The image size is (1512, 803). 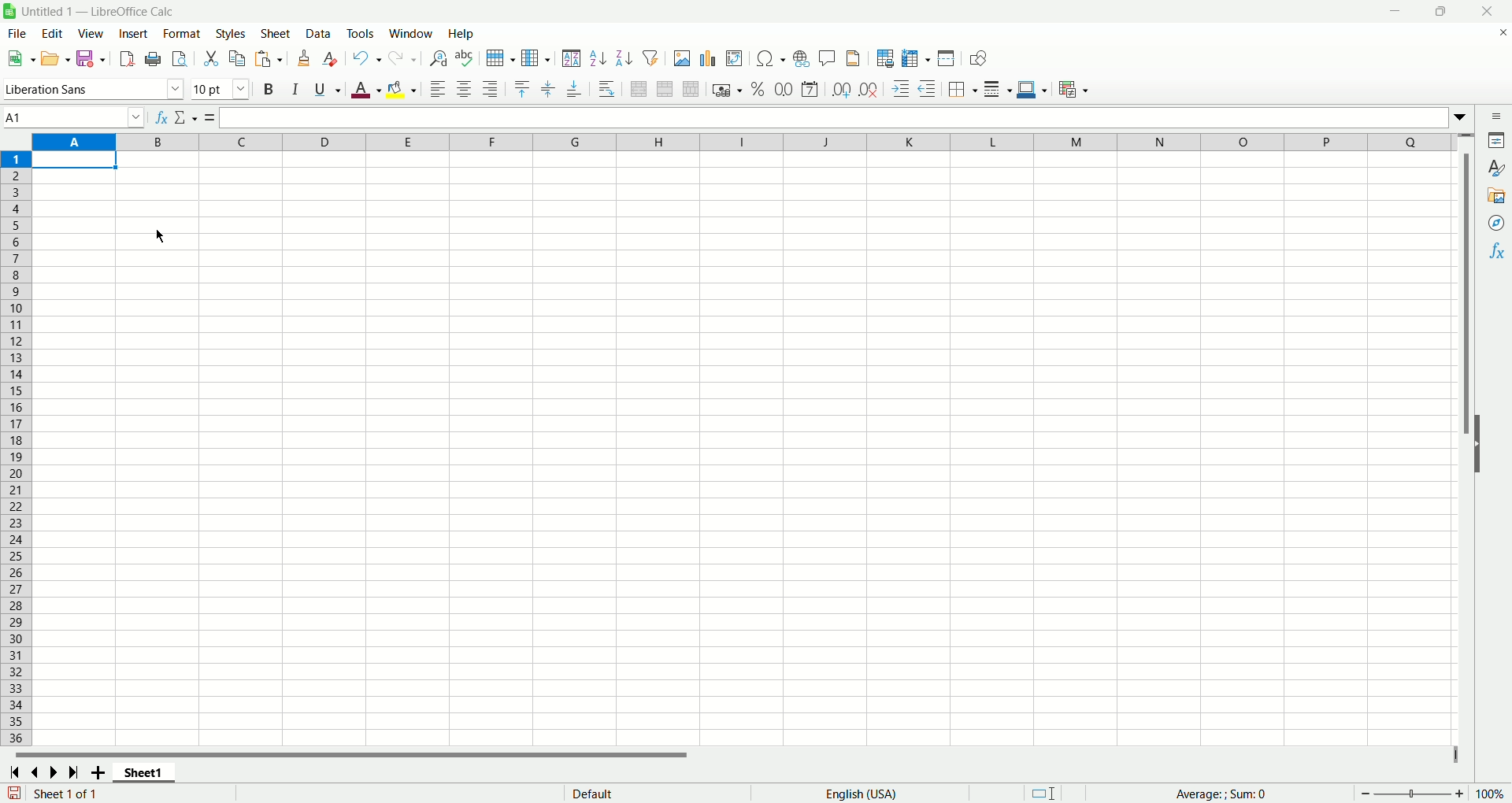 I want to click on vertical scroll bar, so click(x=1462, y=439).